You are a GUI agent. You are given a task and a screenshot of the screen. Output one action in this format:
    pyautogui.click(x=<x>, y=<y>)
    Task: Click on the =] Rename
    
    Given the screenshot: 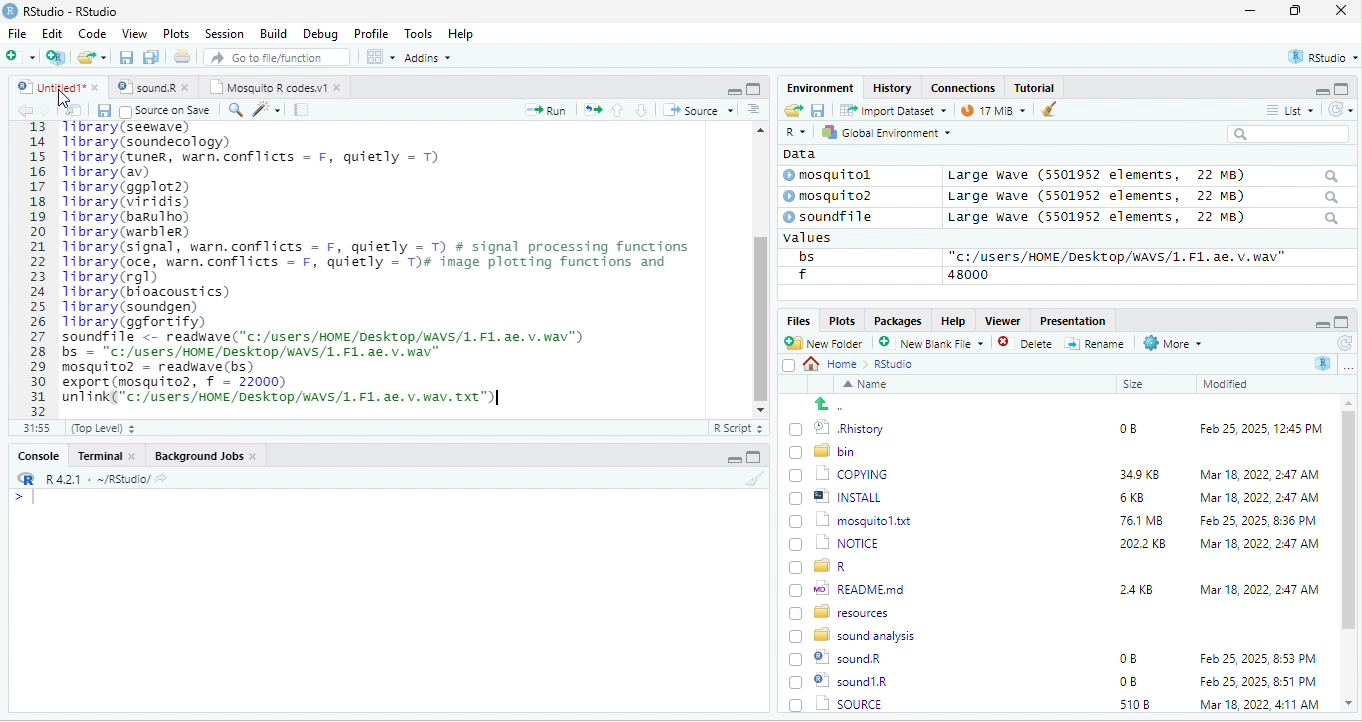 What is the action you would take?
    pyautogui.click(x=1096, y=343)
    